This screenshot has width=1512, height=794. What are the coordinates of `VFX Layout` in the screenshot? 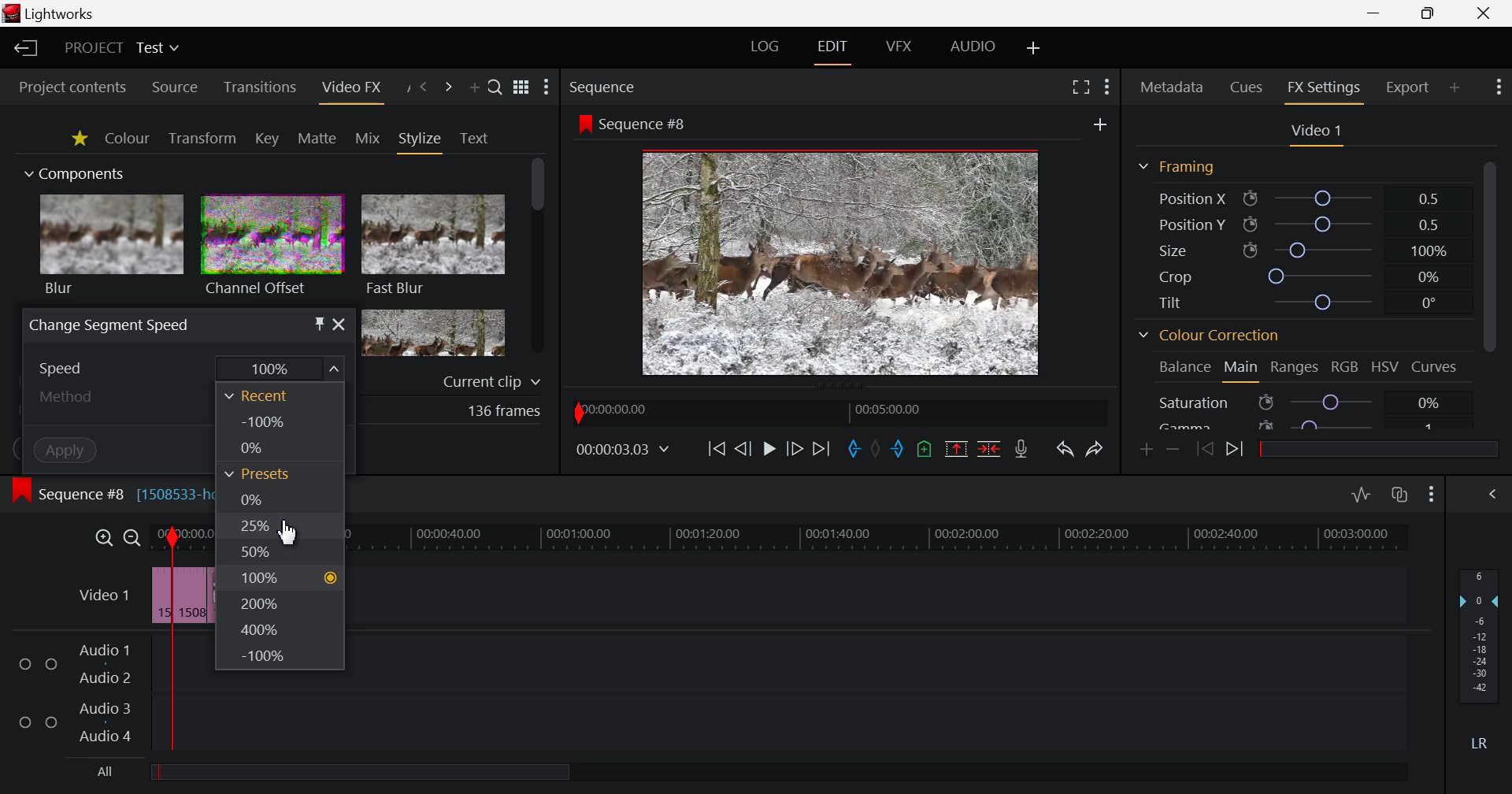 It's located at (898, 47).